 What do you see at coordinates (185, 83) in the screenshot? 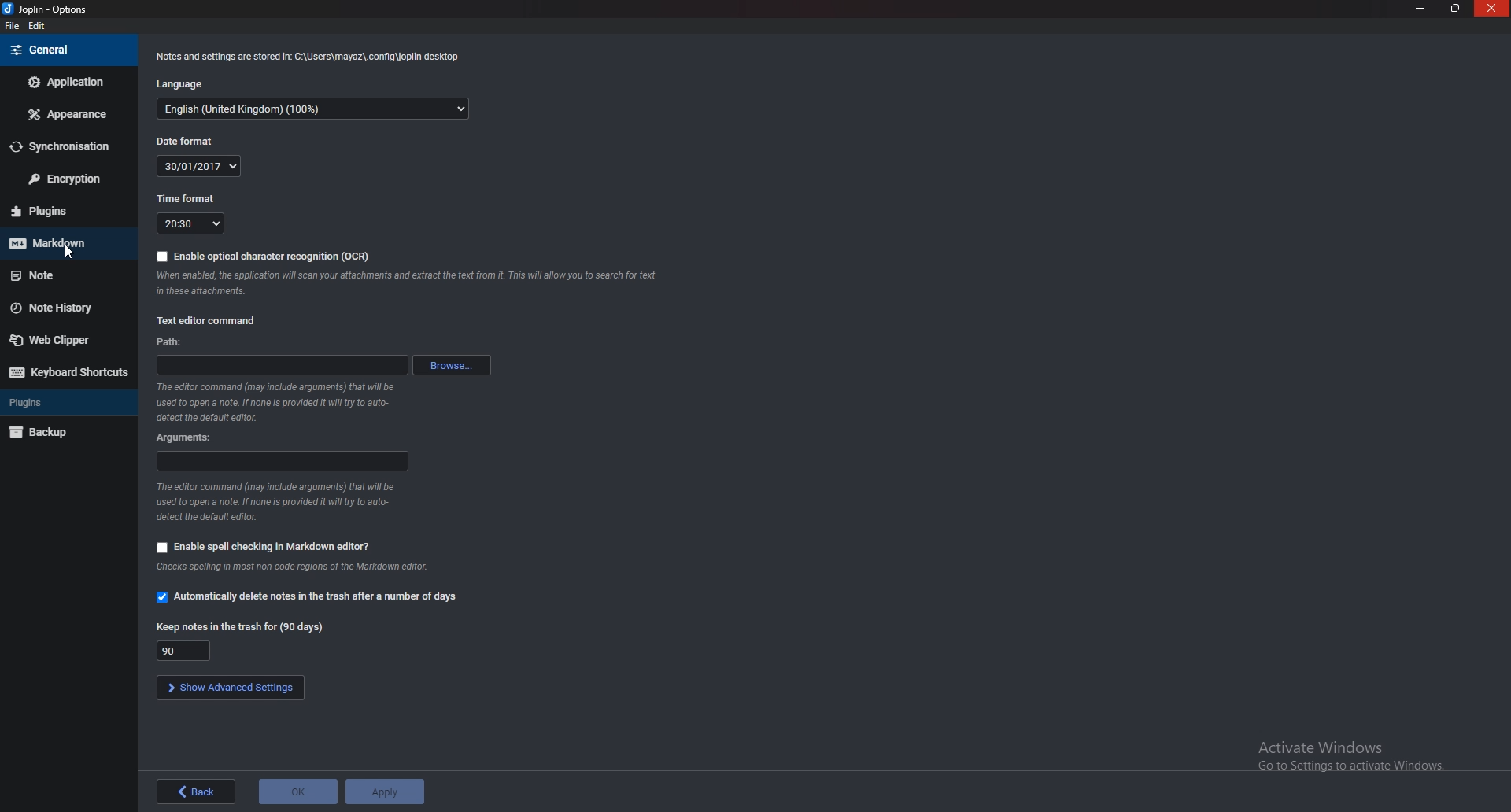
I see `Language` at bounding box center [185, 83].